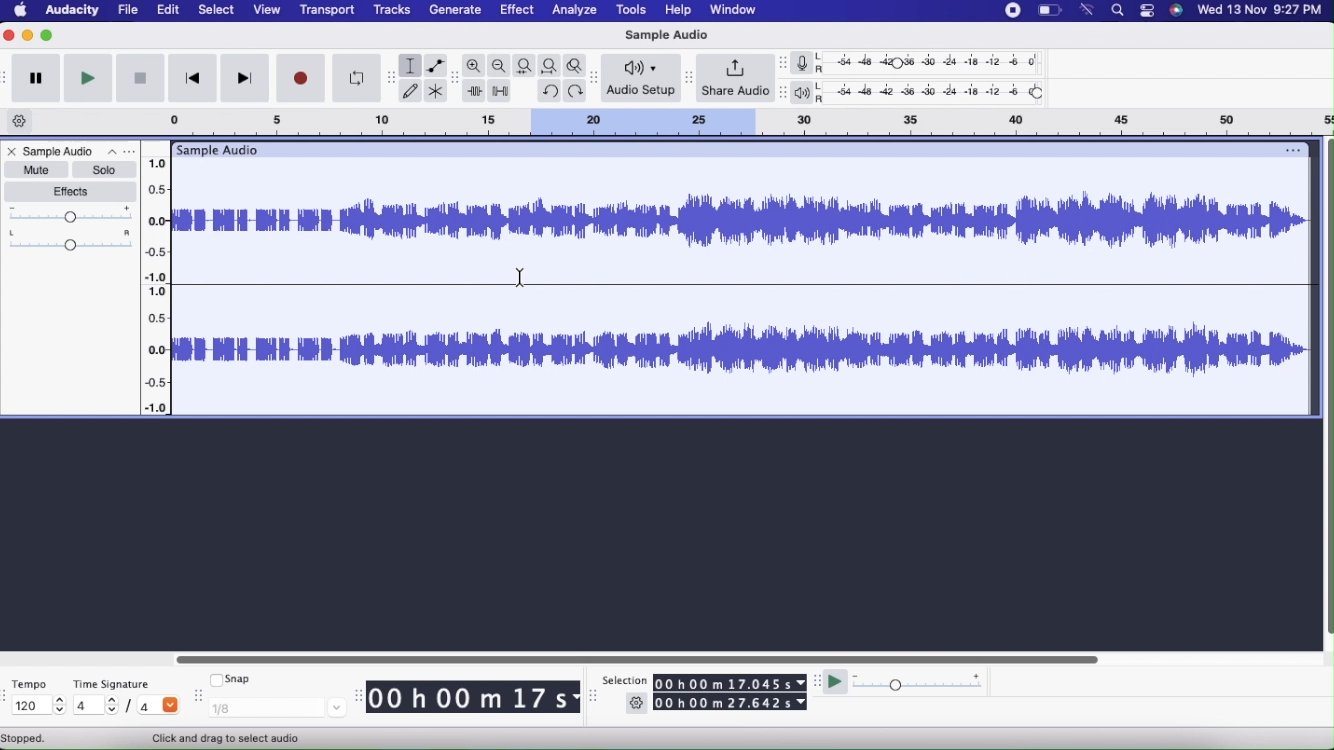 The image size is (1334, 750). What do you see at coordinates (628, 10) in the screenshot?
I see `tools` at bounding box center [628, 10].